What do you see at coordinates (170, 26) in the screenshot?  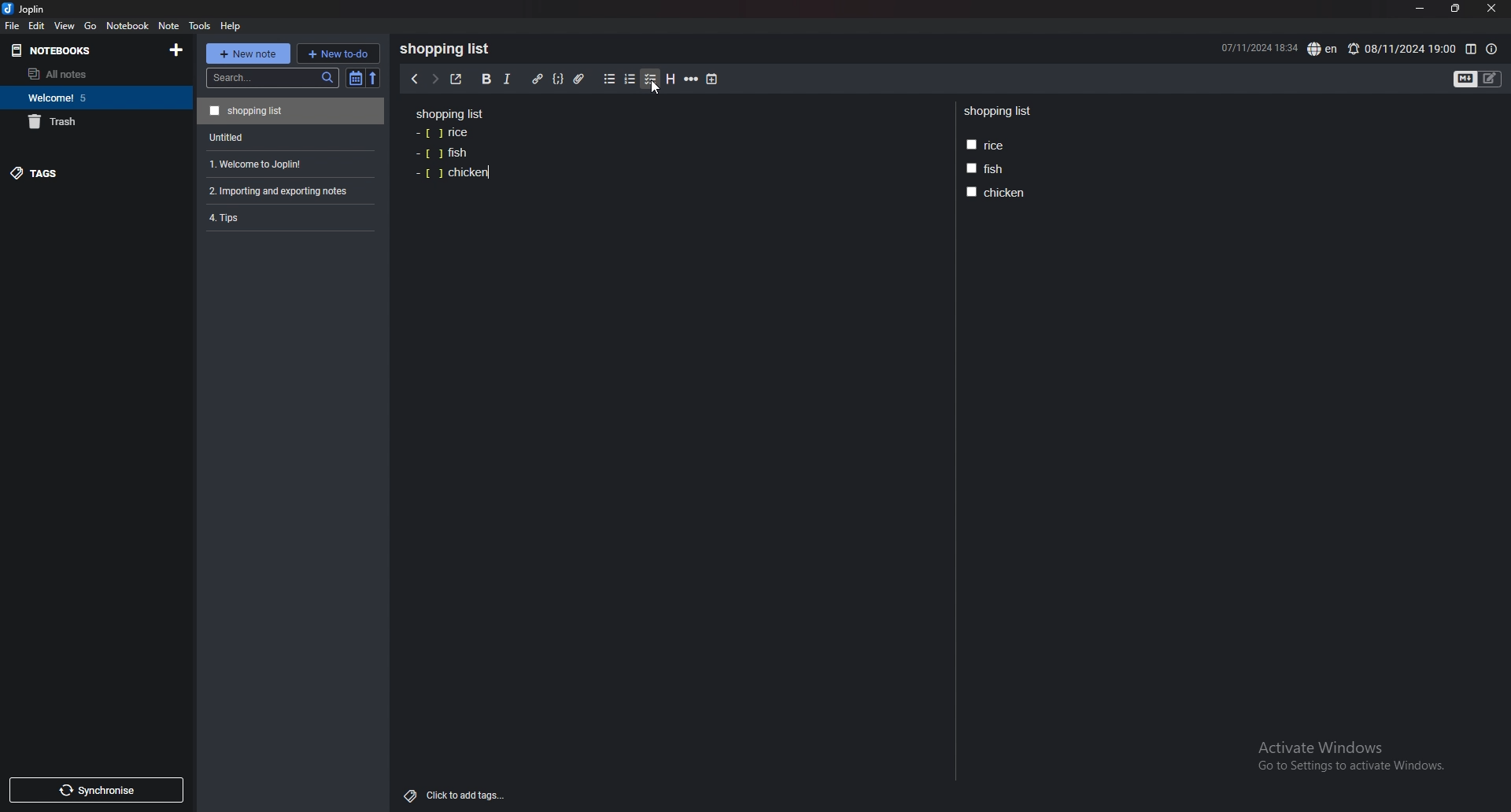 I see `note` at bounding box center [170, 26].